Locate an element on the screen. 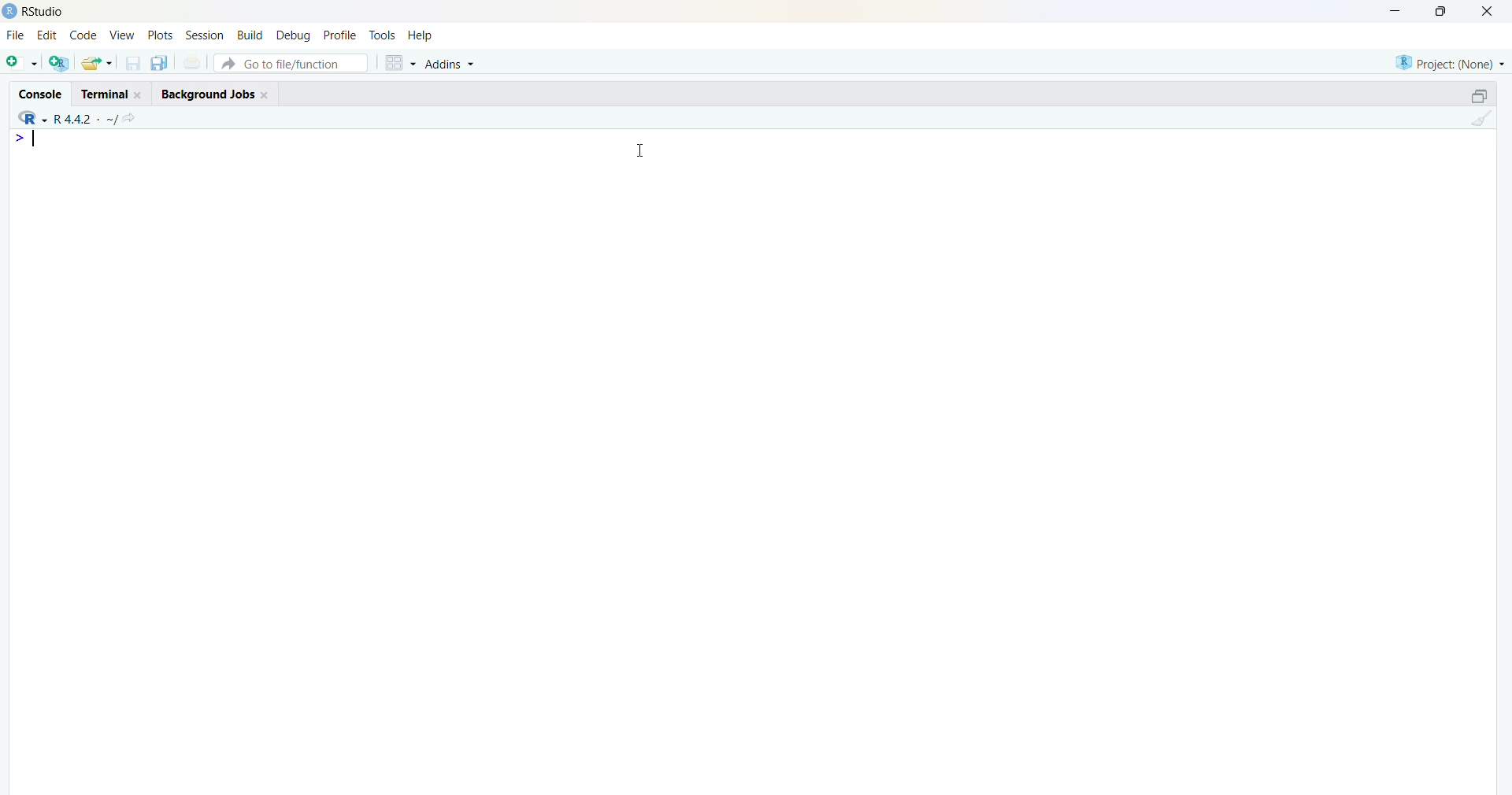 This screenshot has width=1512, height=795. Terminal is located at coordinates (109, 92).